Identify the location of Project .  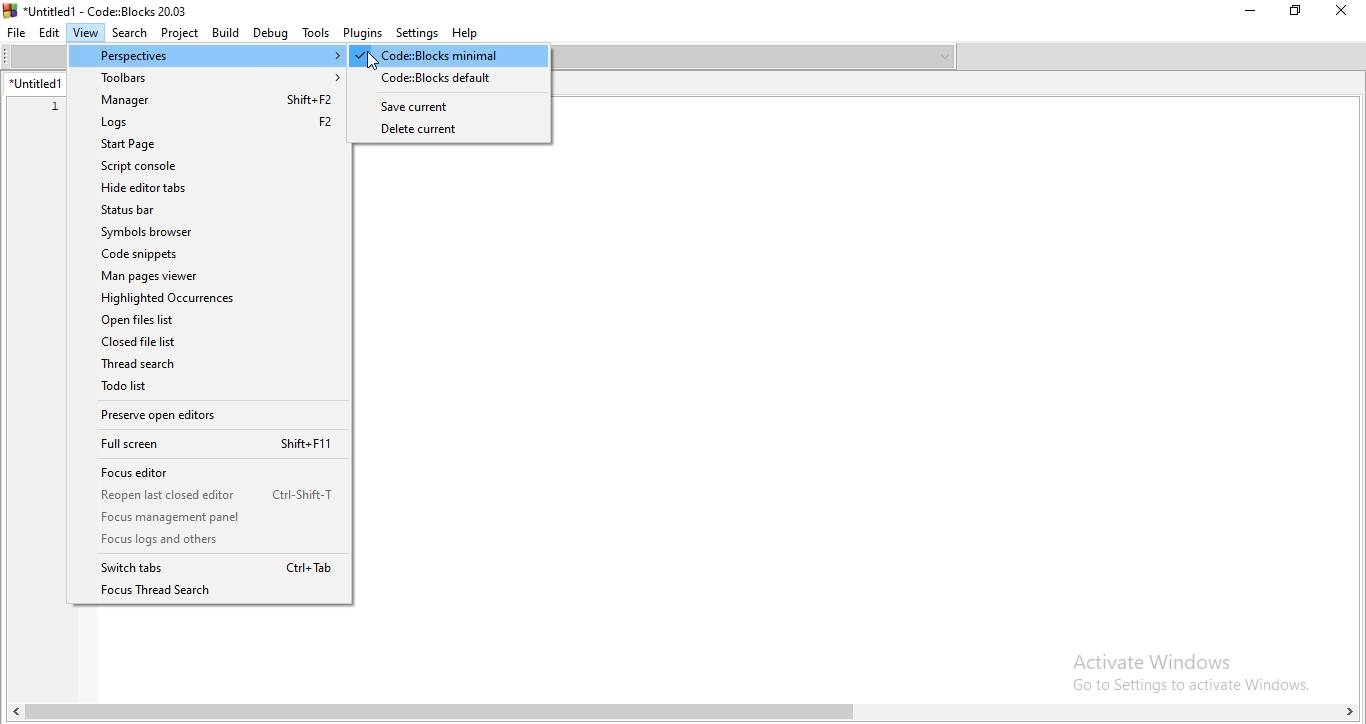
(180, 33).